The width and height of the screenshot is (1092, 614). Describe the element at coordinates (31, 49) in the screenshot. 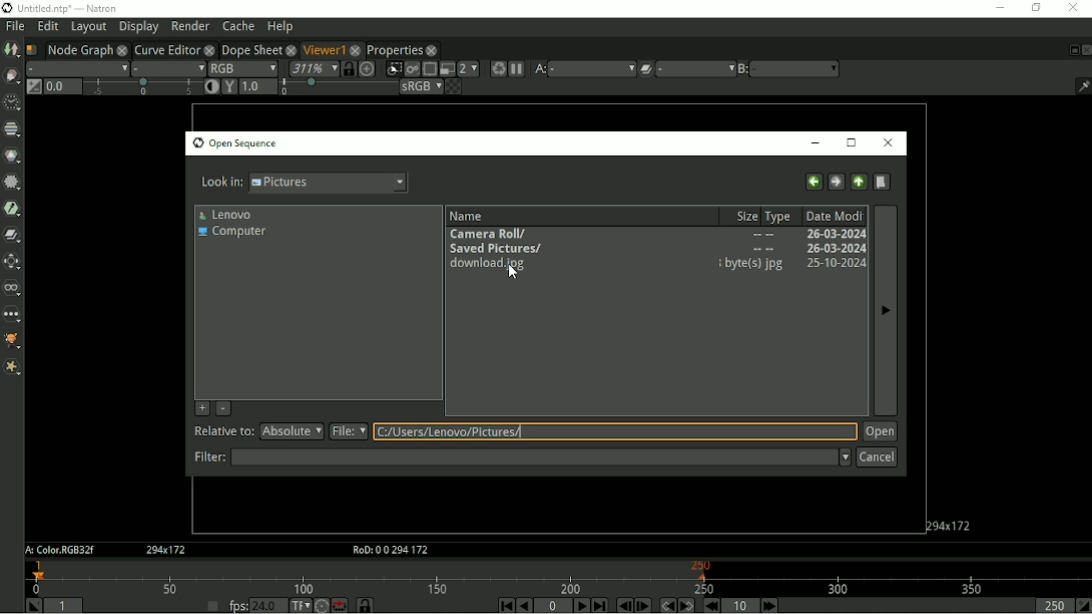

I see `Script name` at that location.